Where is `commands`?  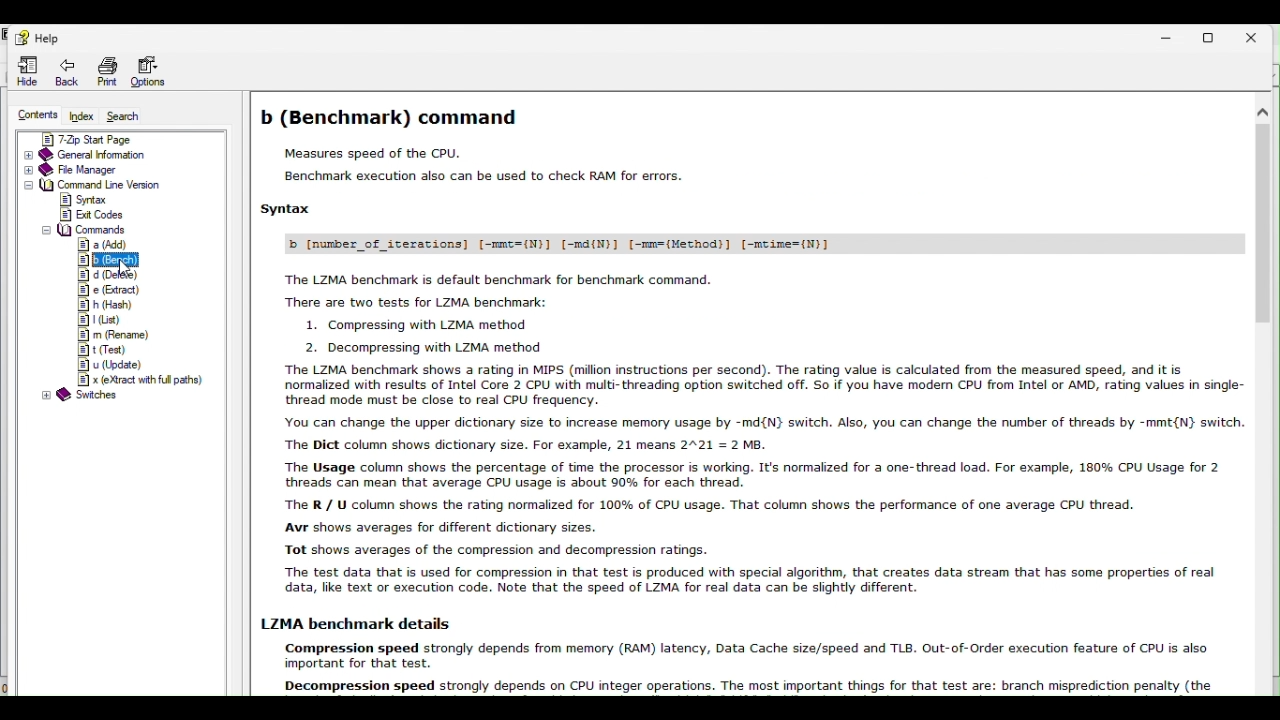 commands is located at coordinates (84, 232).